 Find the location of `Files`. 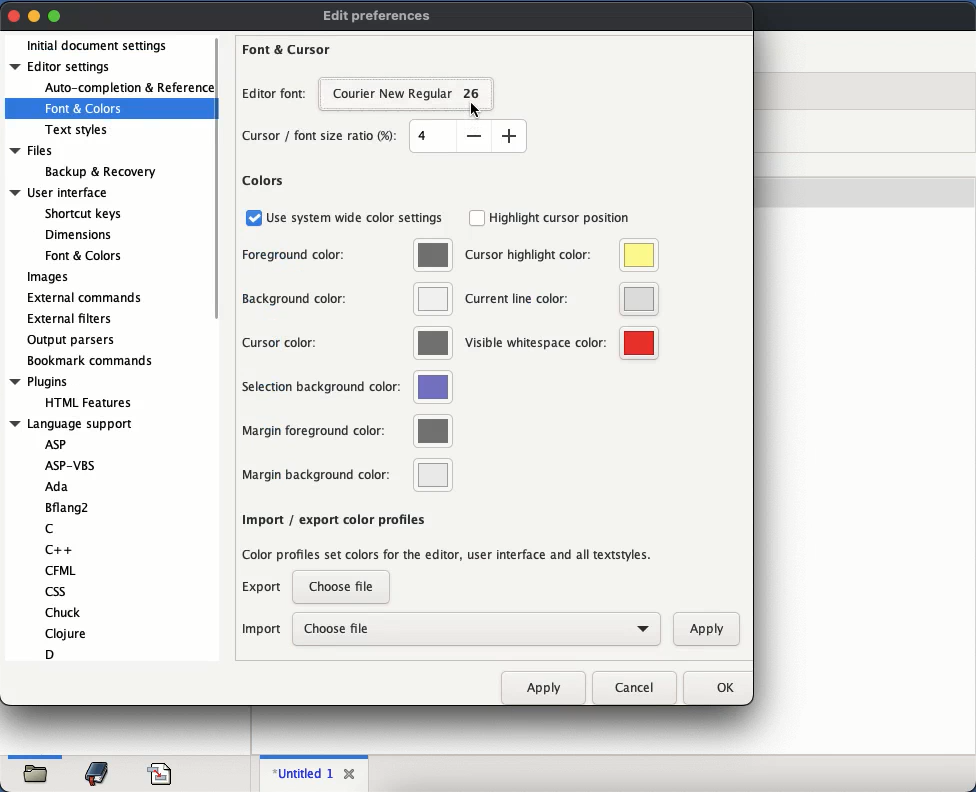

Files is located at coordinates (32, 150).